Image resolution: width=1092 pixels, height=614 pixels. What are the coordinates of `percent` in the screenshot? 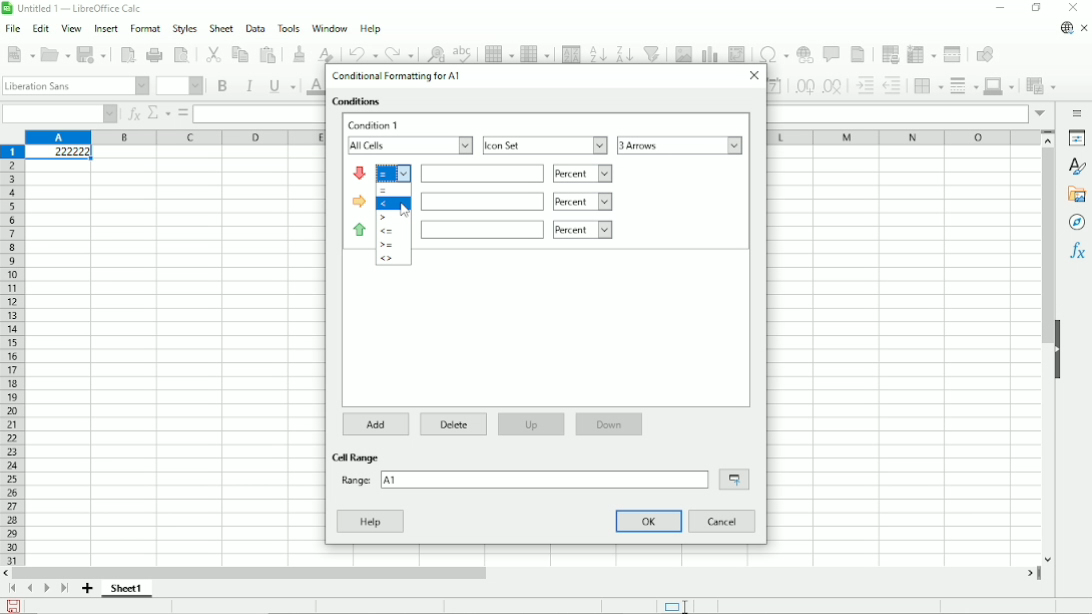 It's located at (516, 229).